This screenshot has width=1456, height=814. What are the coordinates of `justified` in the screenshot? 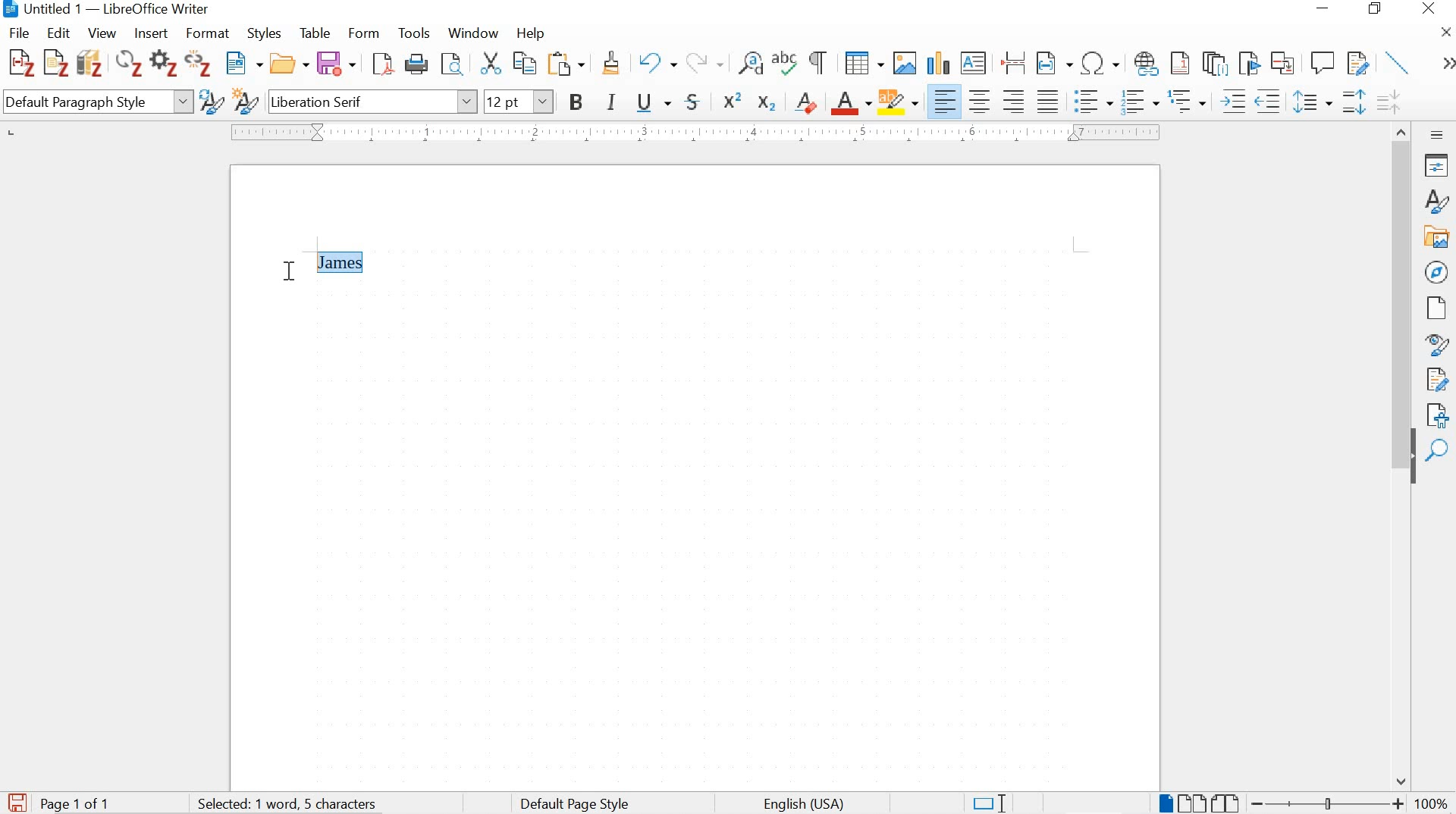 It's located at (1048, 99).